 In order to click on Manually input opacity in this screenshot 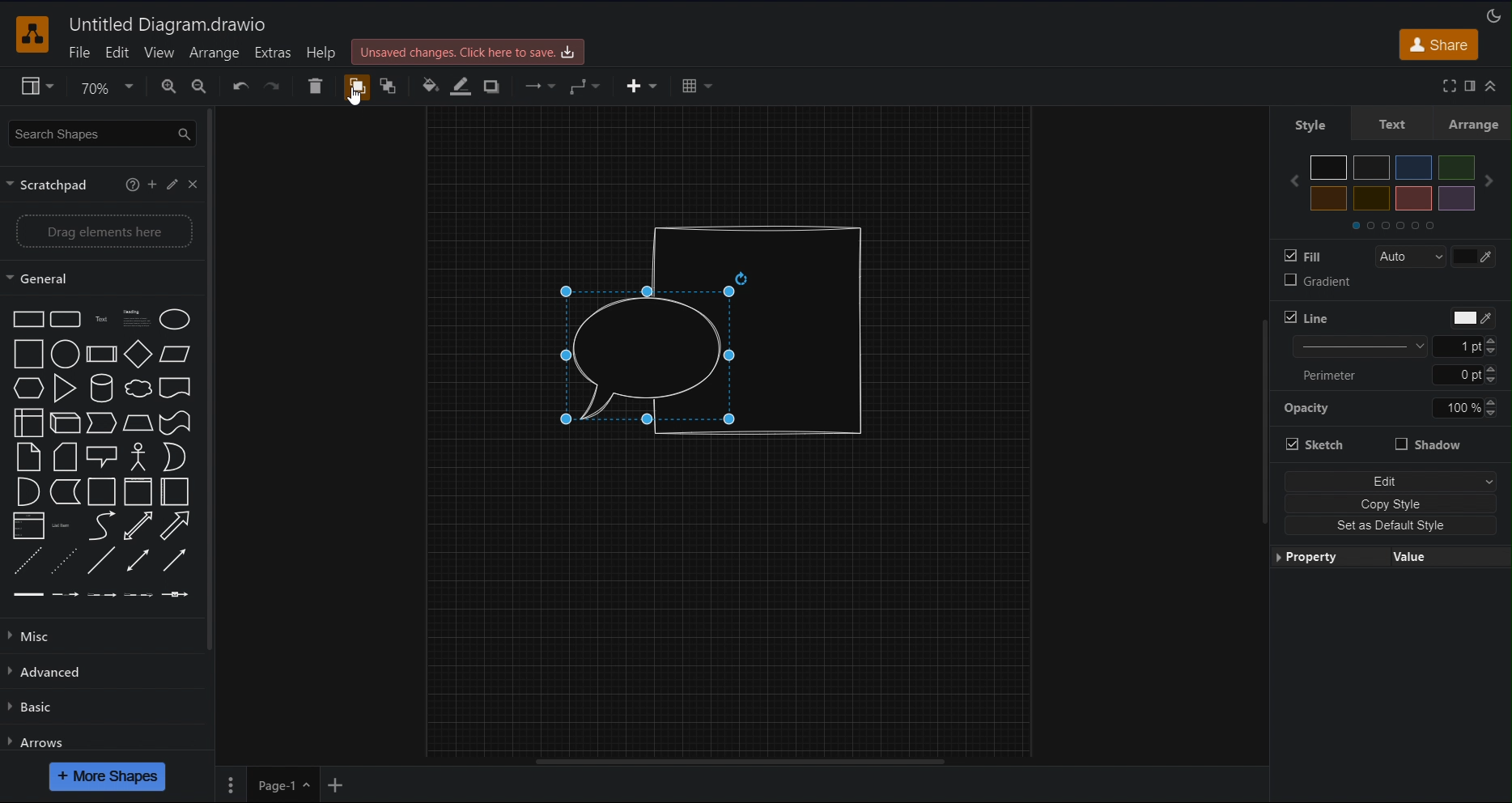, I will do `click(1456, 407)`.